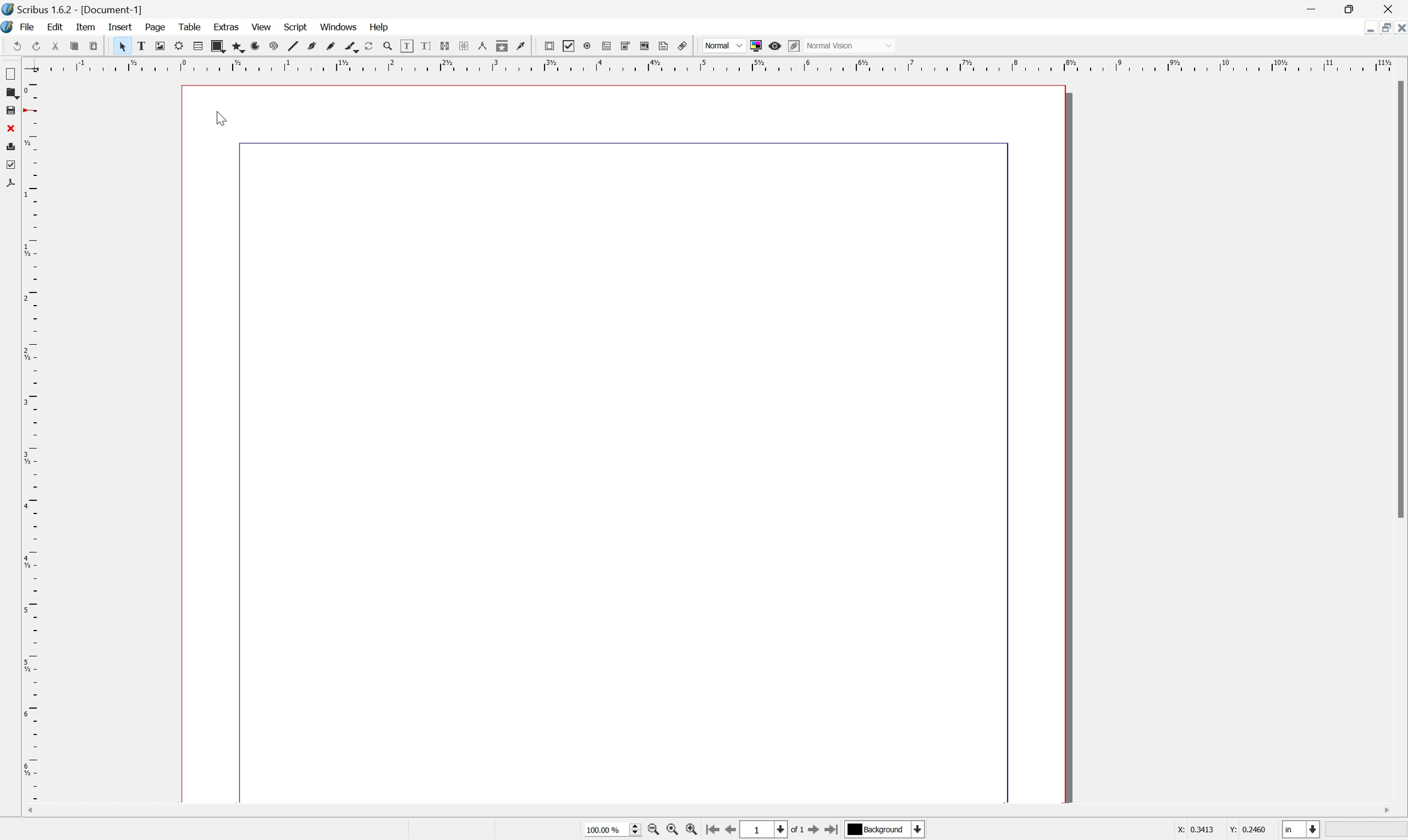 The height and width of the screenshot is (840, 1408). Describe the element at coordinates (548, 46) in the screenshot. I see `edit contents of frame` at that location.